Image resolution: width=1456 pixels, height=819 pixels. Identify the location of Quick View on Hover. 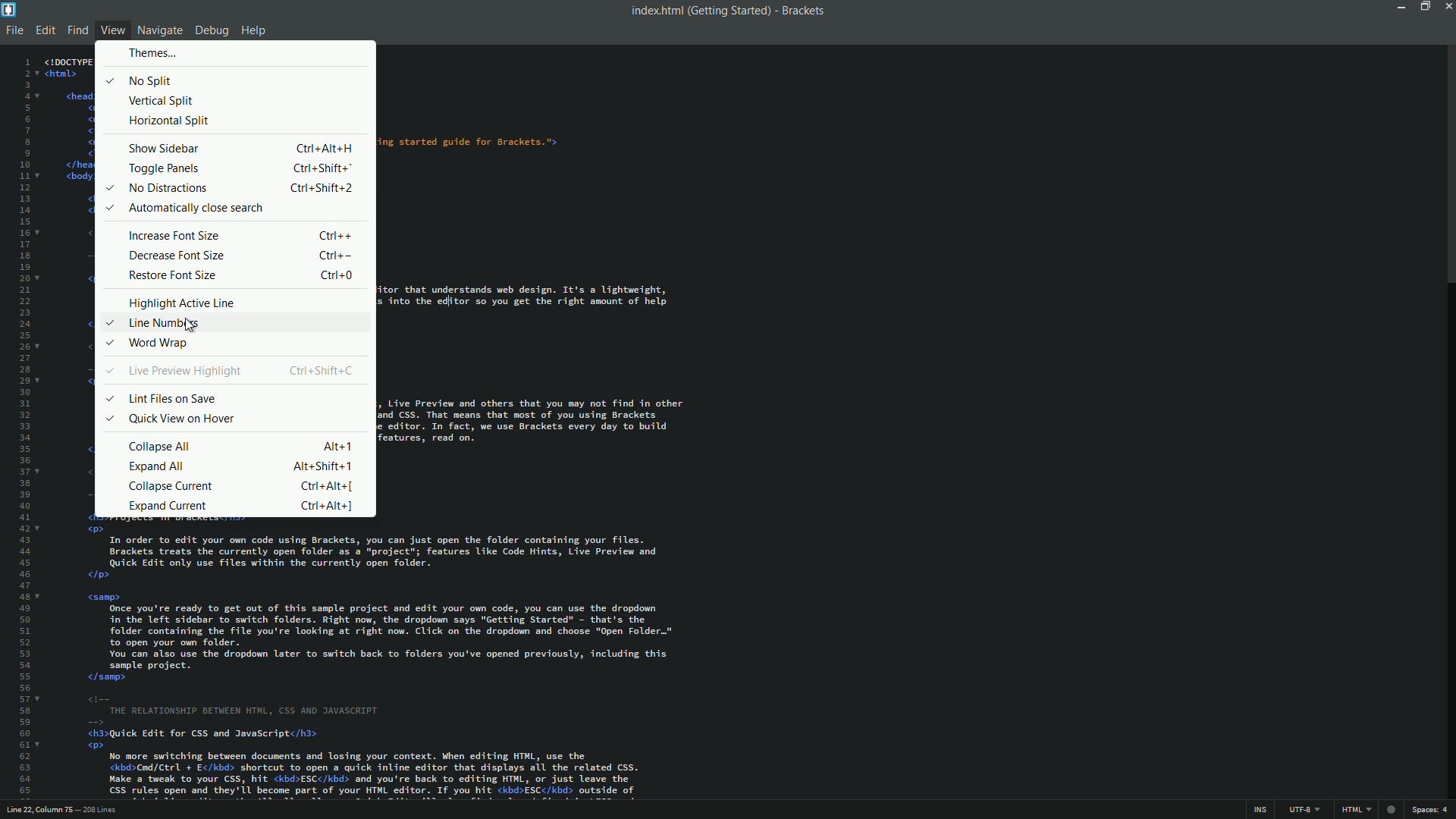
(170, 419).